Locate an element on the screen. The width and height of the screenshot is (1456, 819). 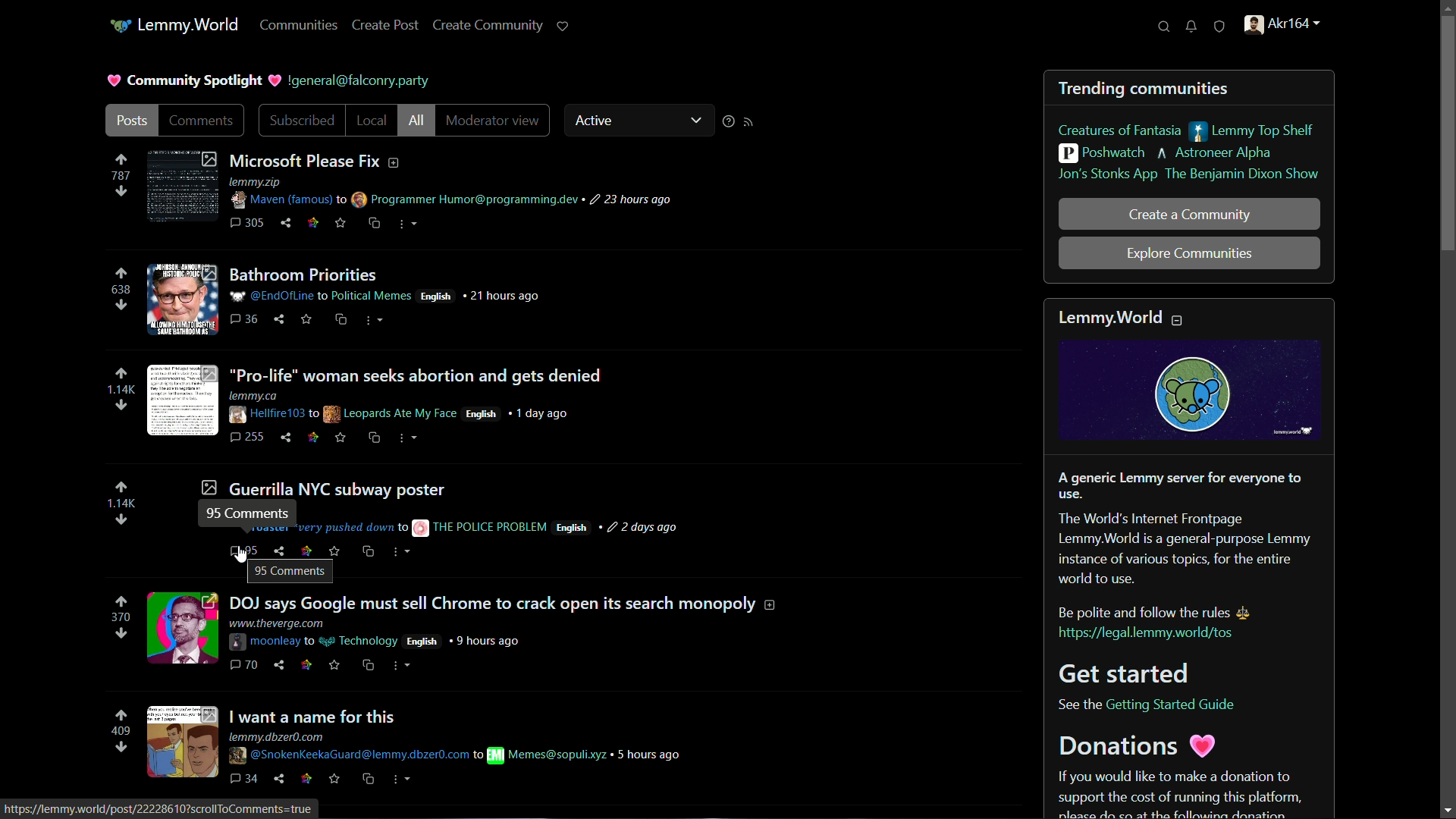
7 23 hours ago is located at coordinates (630, 200).